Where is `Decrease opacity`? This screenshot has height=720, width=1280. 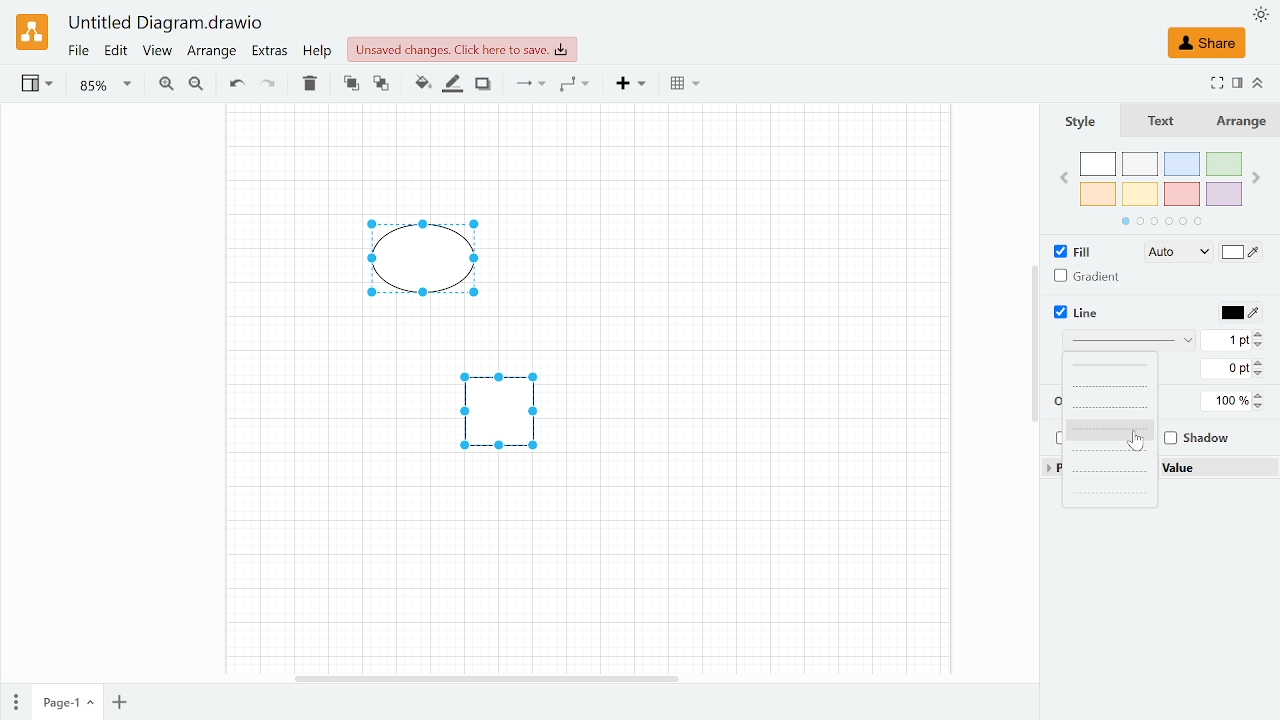
Decrease opacity is located at coordinates (1262, 406).